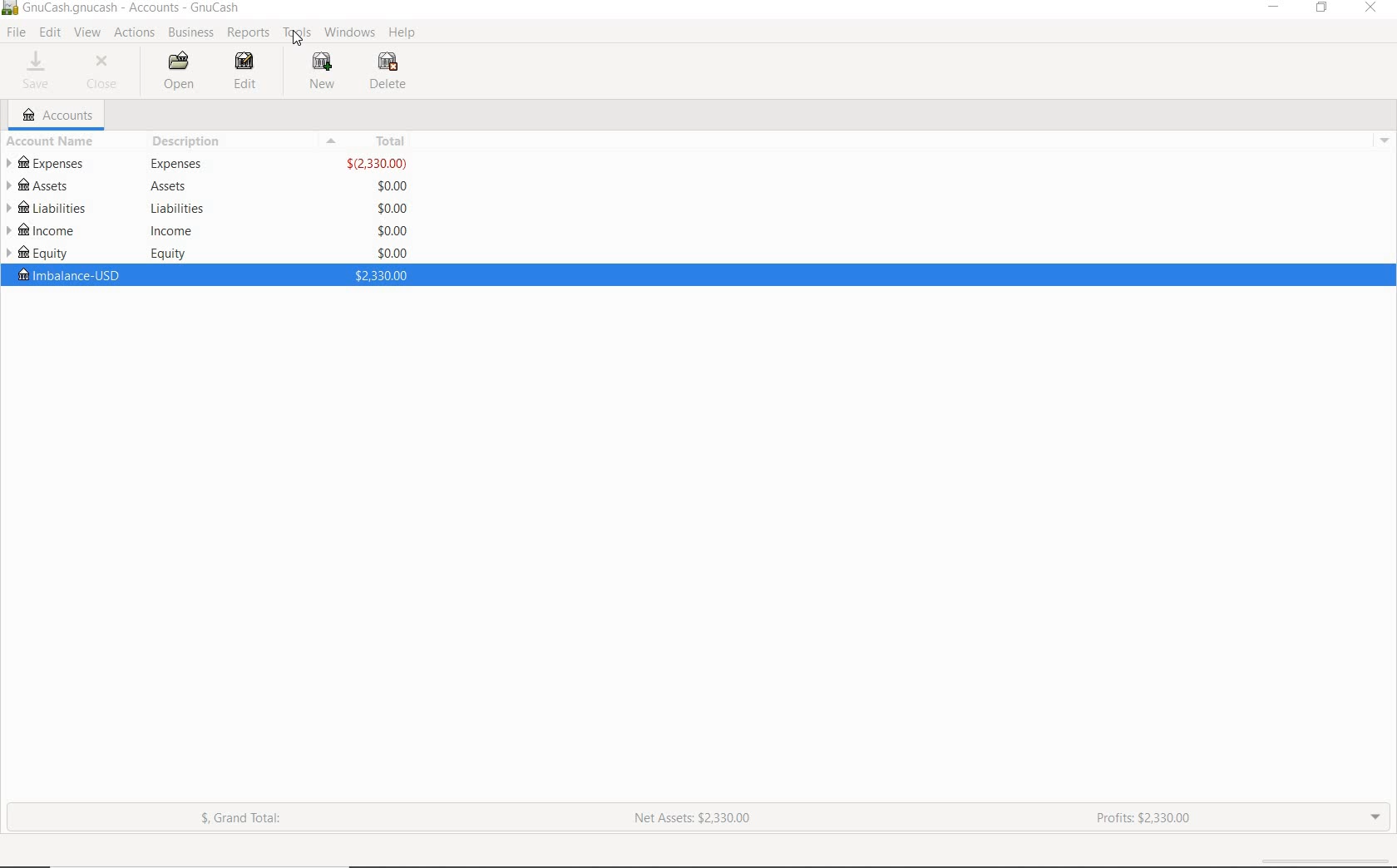  I want to click on imbalance-USD, so click(210, 277).